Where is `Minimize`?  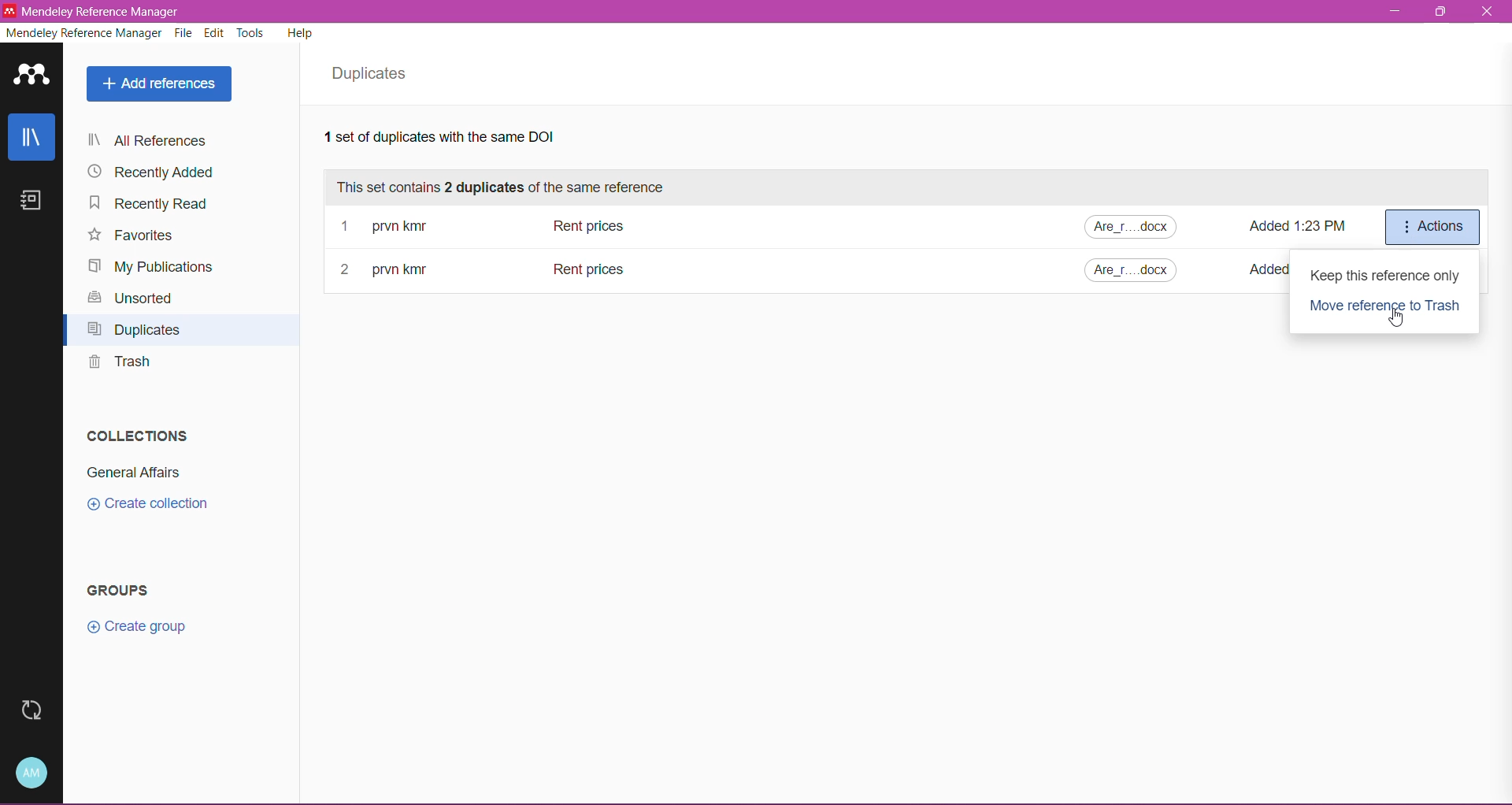
Minimize is located at coordinates (1392, 11).